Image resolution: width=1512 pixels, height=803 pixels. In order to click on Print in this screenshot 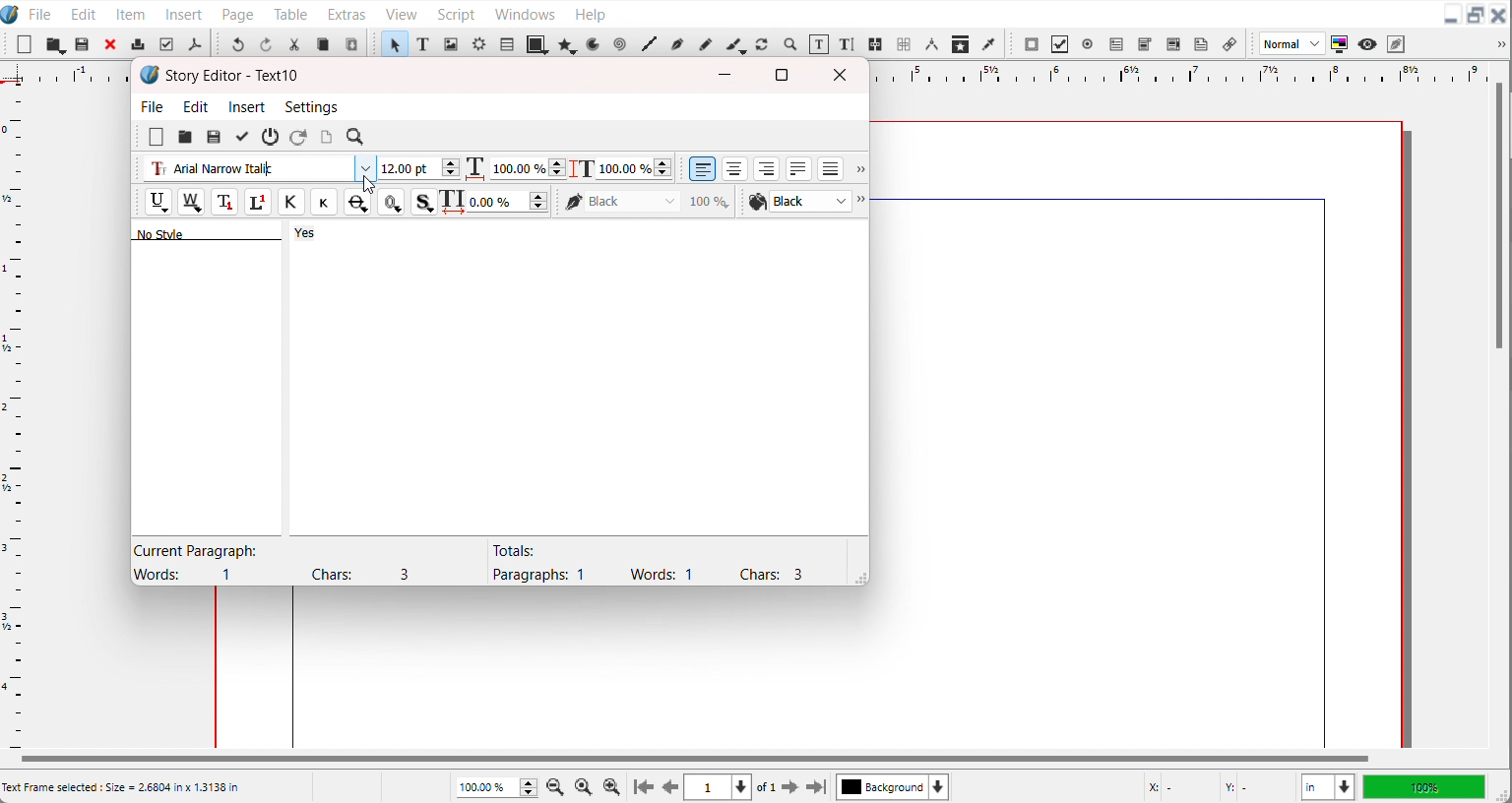, I will do `click(139, 43)`.